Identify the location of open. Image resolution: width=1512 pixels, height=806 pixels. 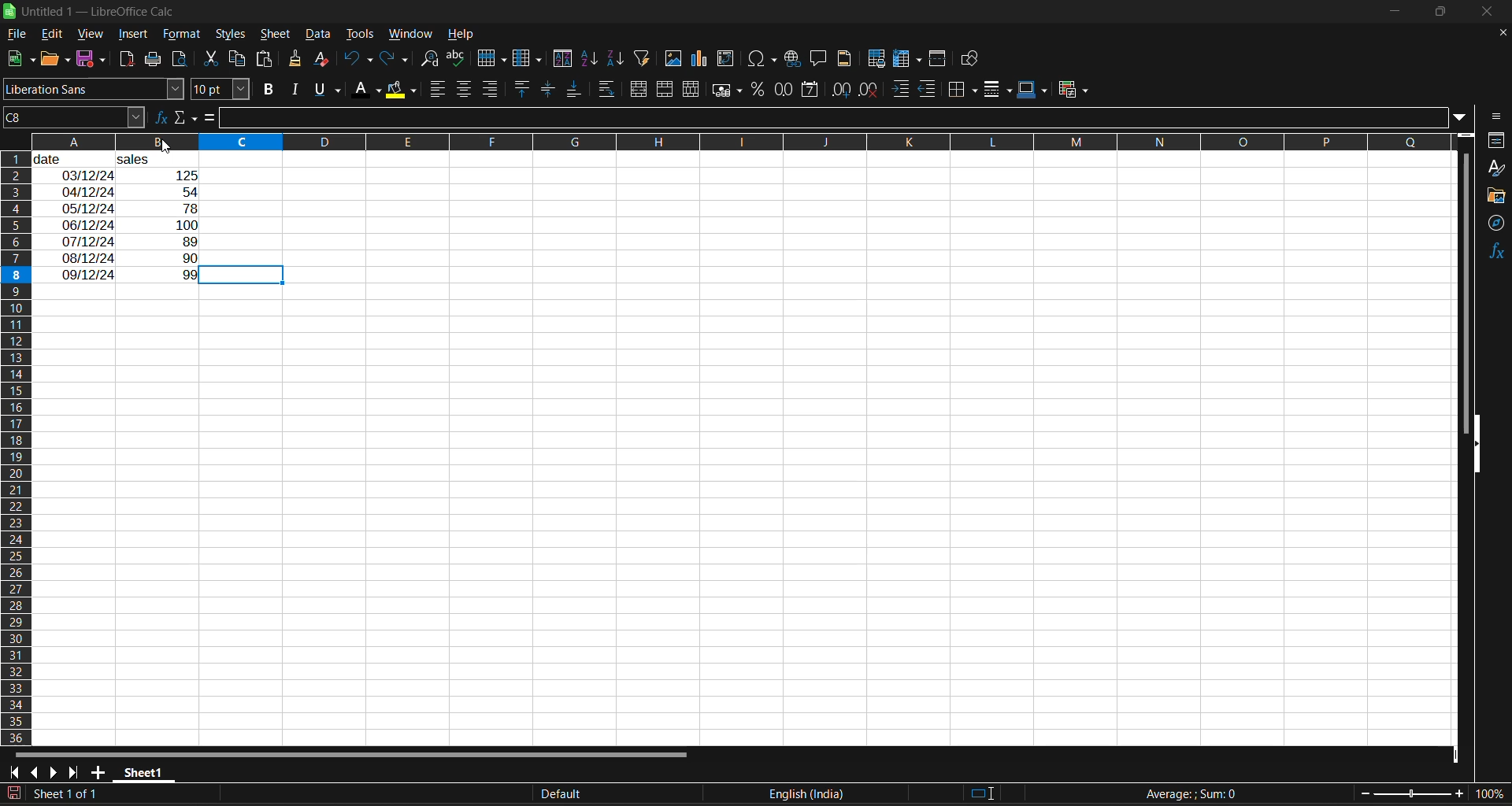
(54, 60).